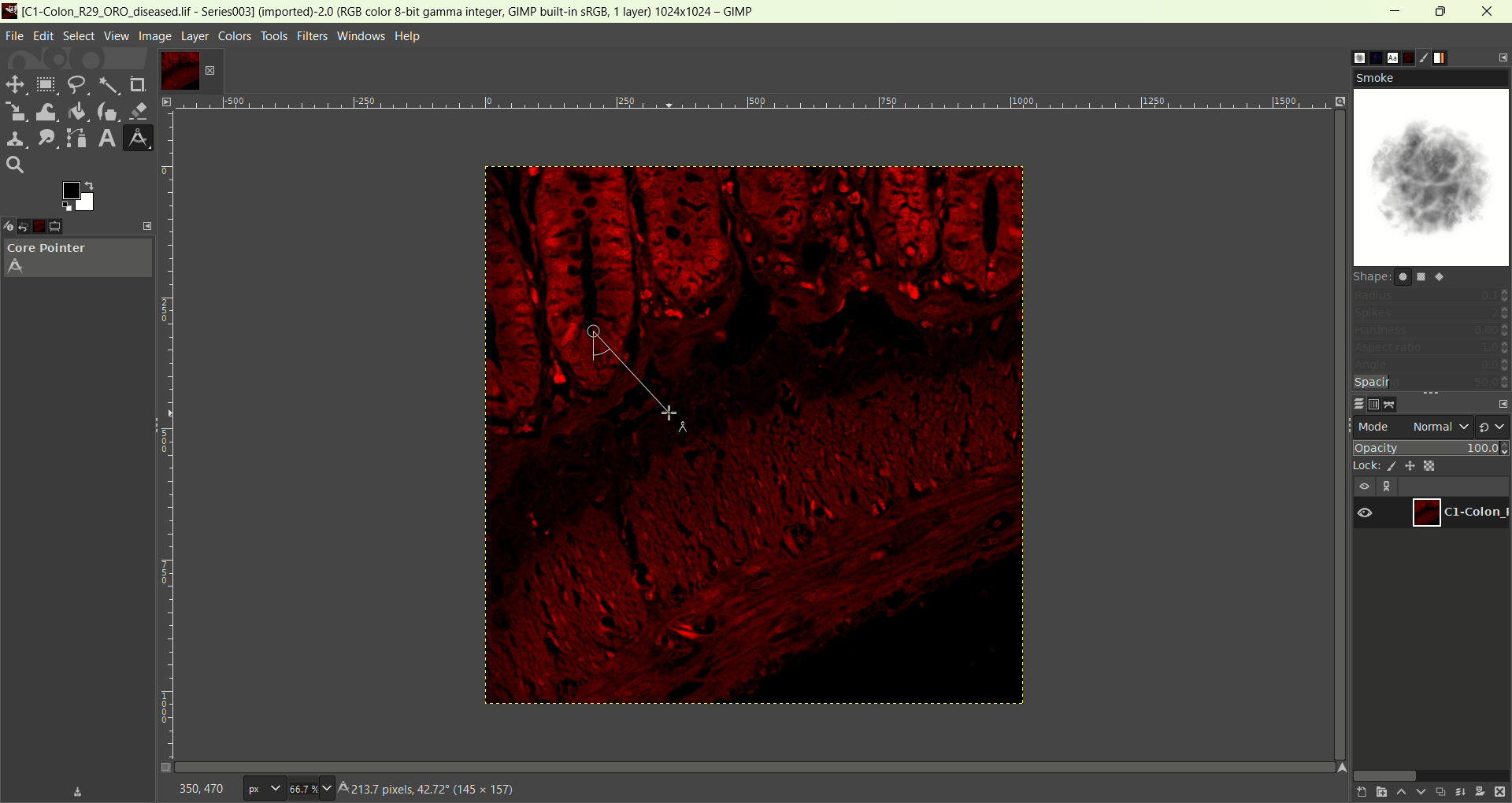 The image size is (1512, 803). I want to click on aspect ratio, so click(1432, 347).